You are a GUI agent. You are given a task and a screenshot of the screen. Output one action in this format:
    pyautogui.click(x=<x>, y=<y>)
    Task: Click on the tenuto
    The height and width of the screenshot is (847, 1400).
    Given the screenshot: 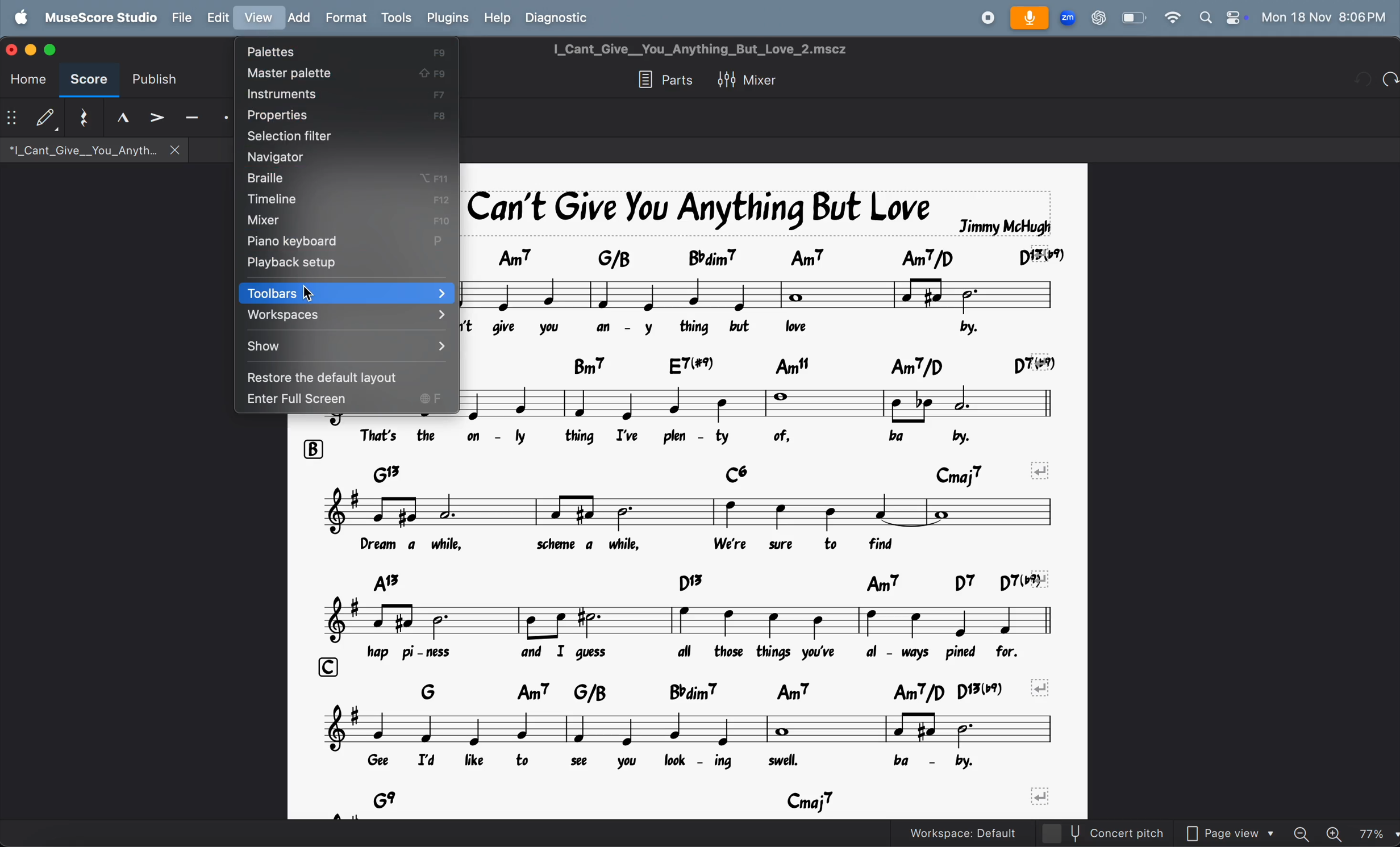 What is the action you would take?
    pyautogui.click(x=192, y=115)
    